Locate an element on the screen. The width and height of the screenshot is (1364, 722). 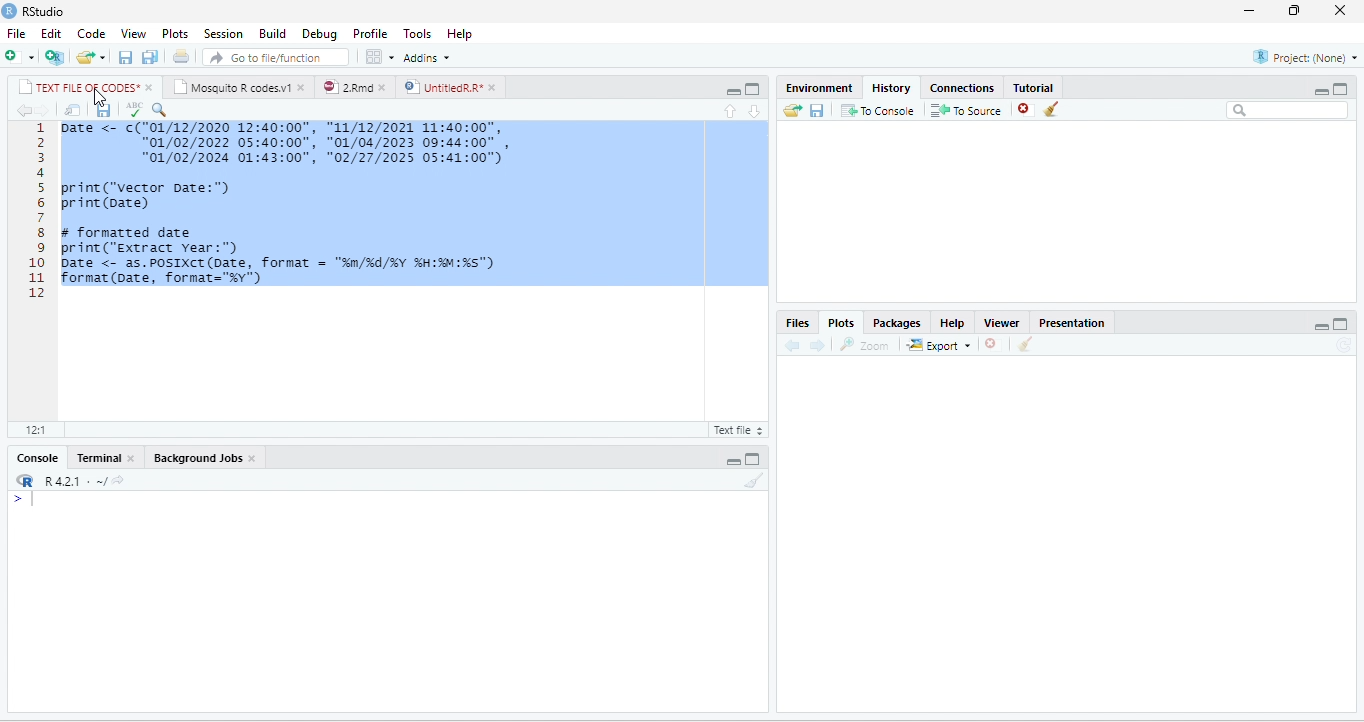
Profile is located at coordinates (371, 35).